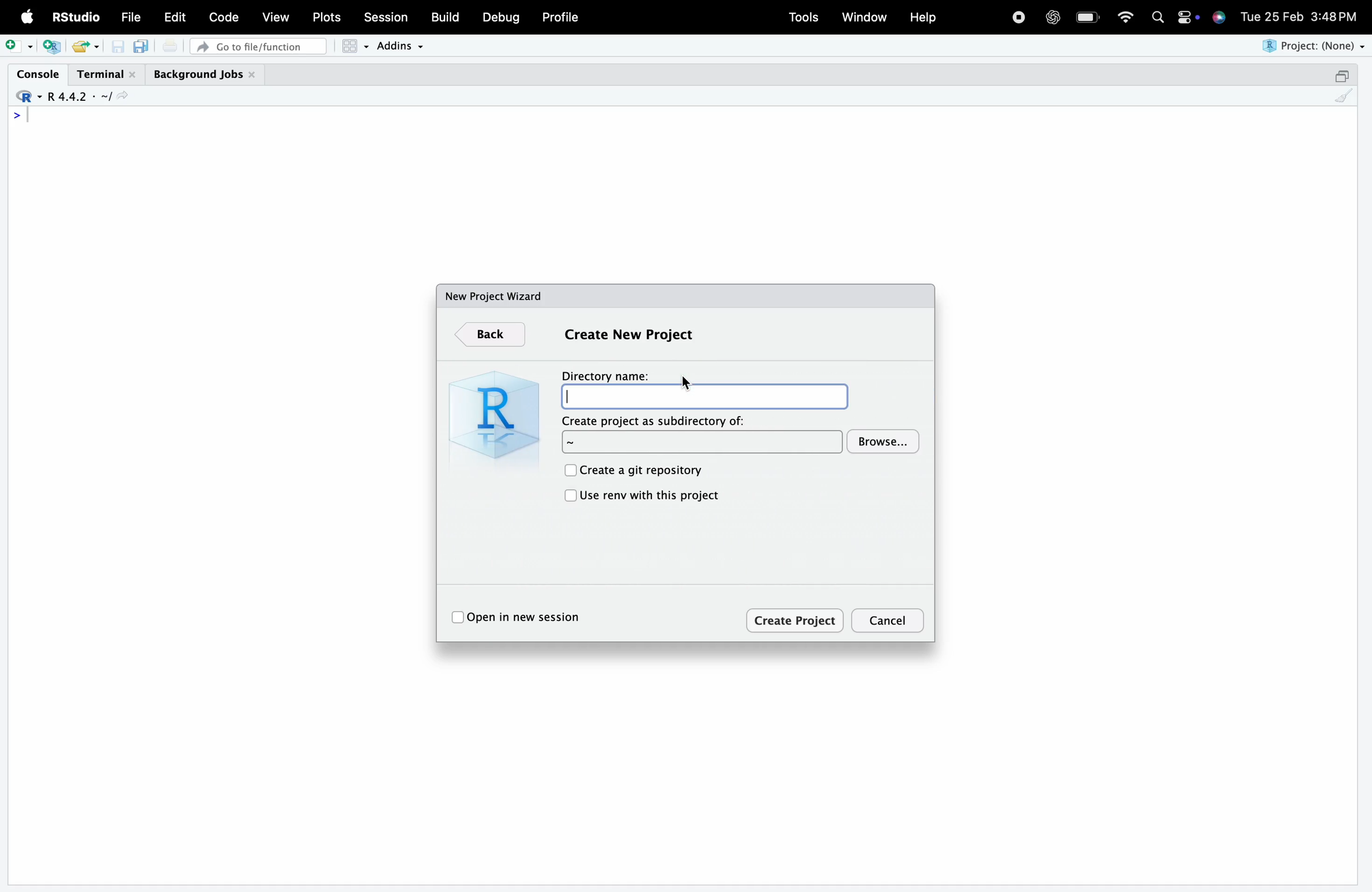  I want to click on RStudio, so click(74, 17).